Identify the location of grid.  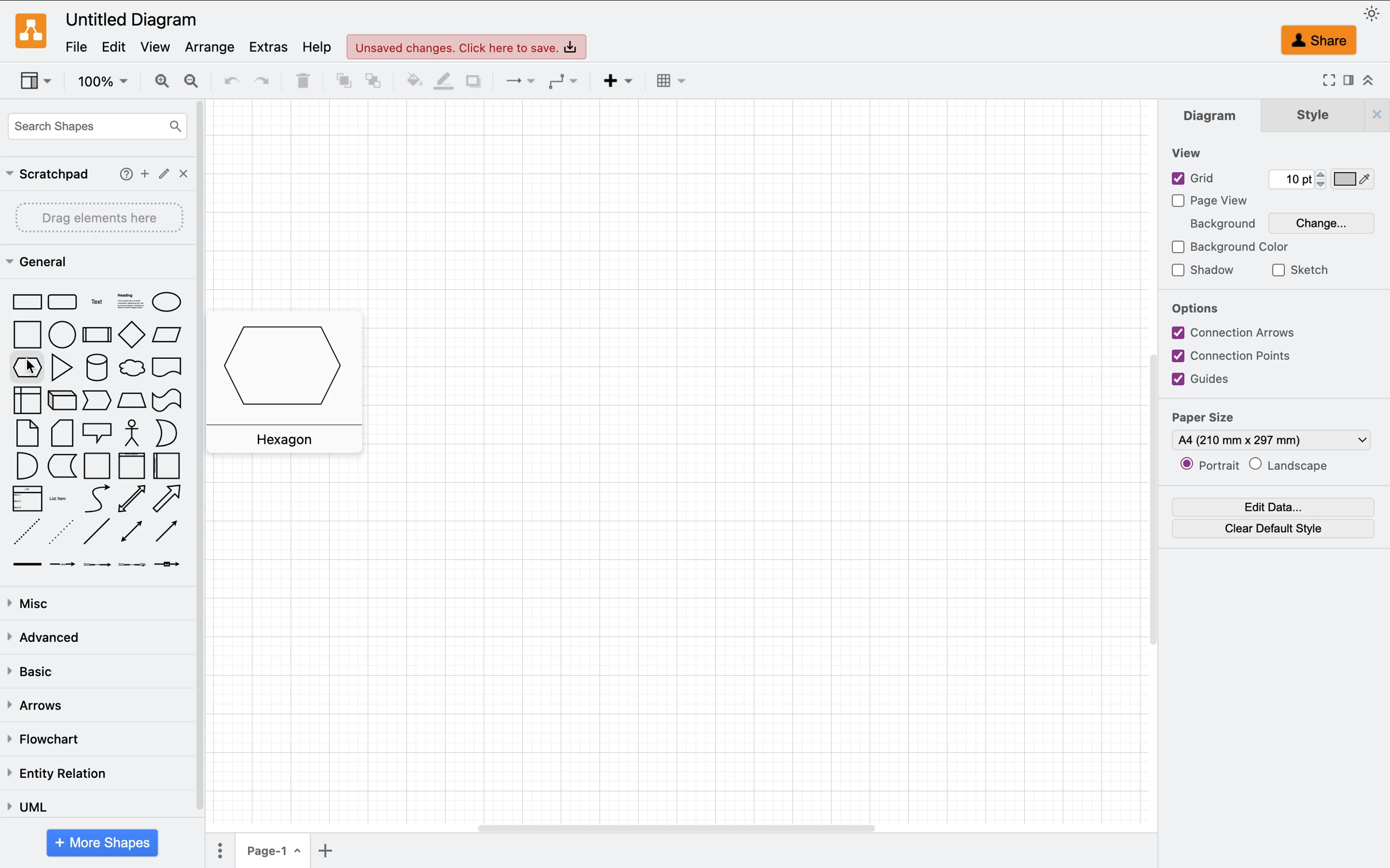
(1273, 179).